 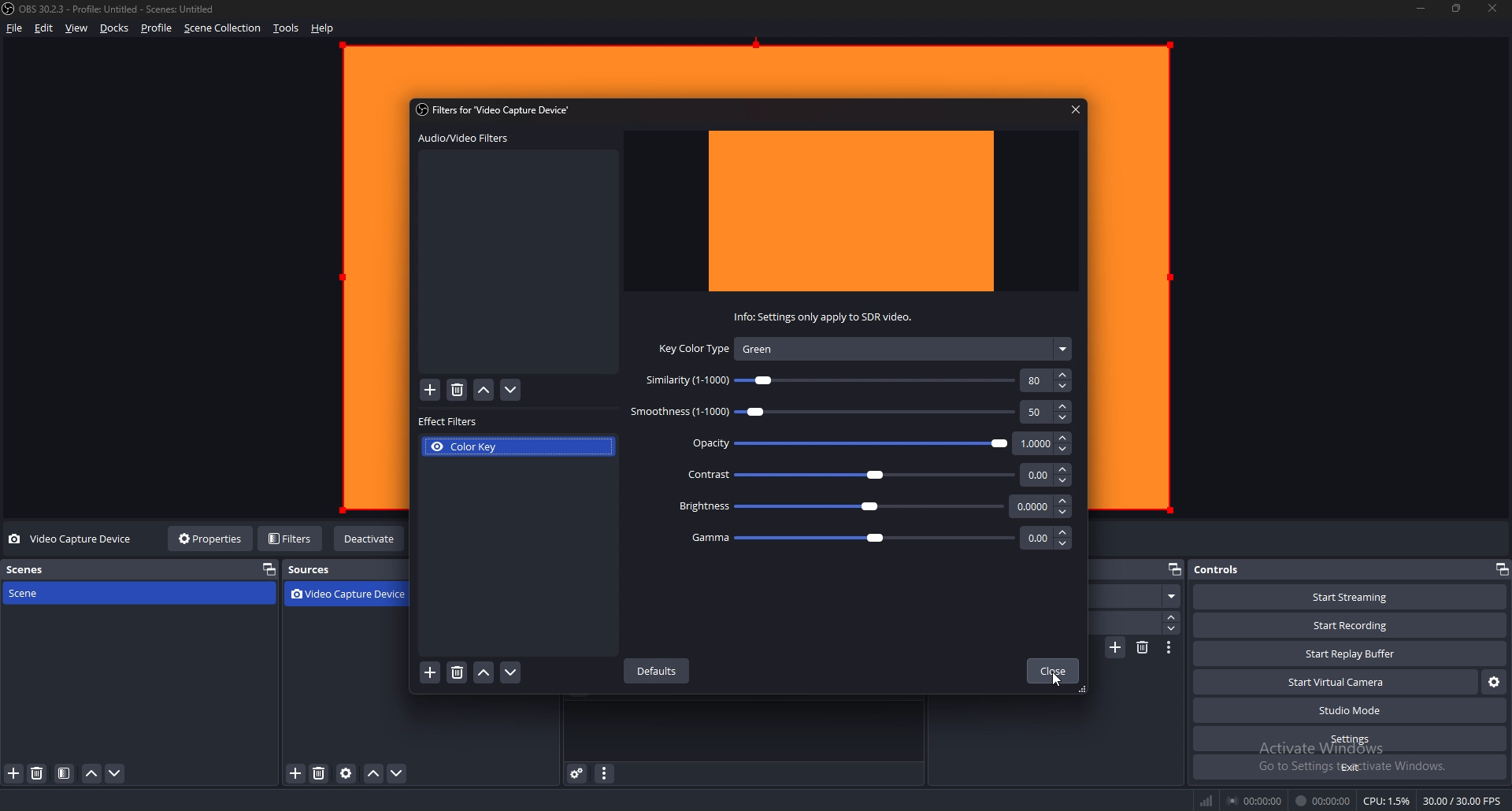 I want to click on audio mixer properties, so click(x=603, y=773).